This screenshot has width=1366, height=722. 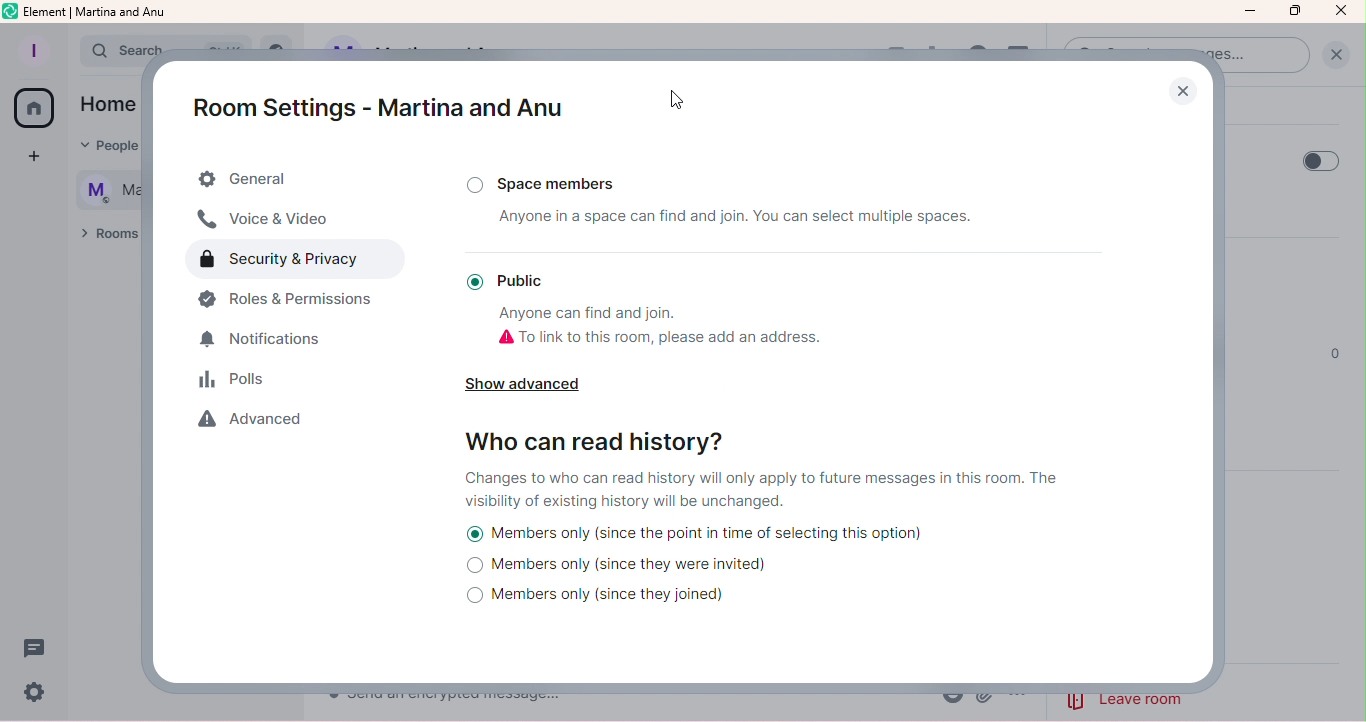 What do you see at coordinates (1129, 704) in the screenshot?
I see `leave room` at bounding box center [1129, 704].